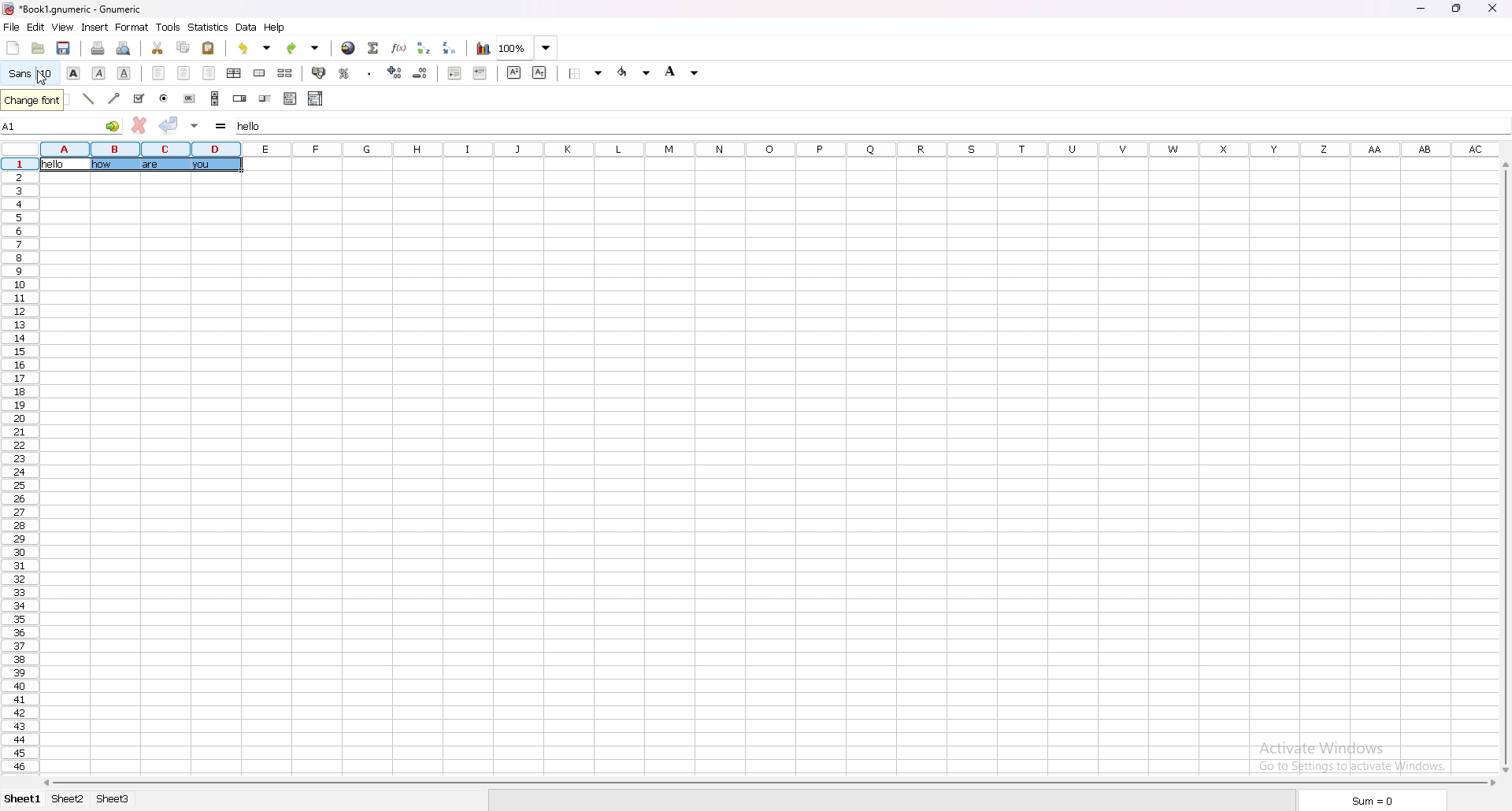 This screenshot has height=811, width=1512. Describe the element at coordinates (452, 48) in the screenshot. I see `sort descending` at that location.